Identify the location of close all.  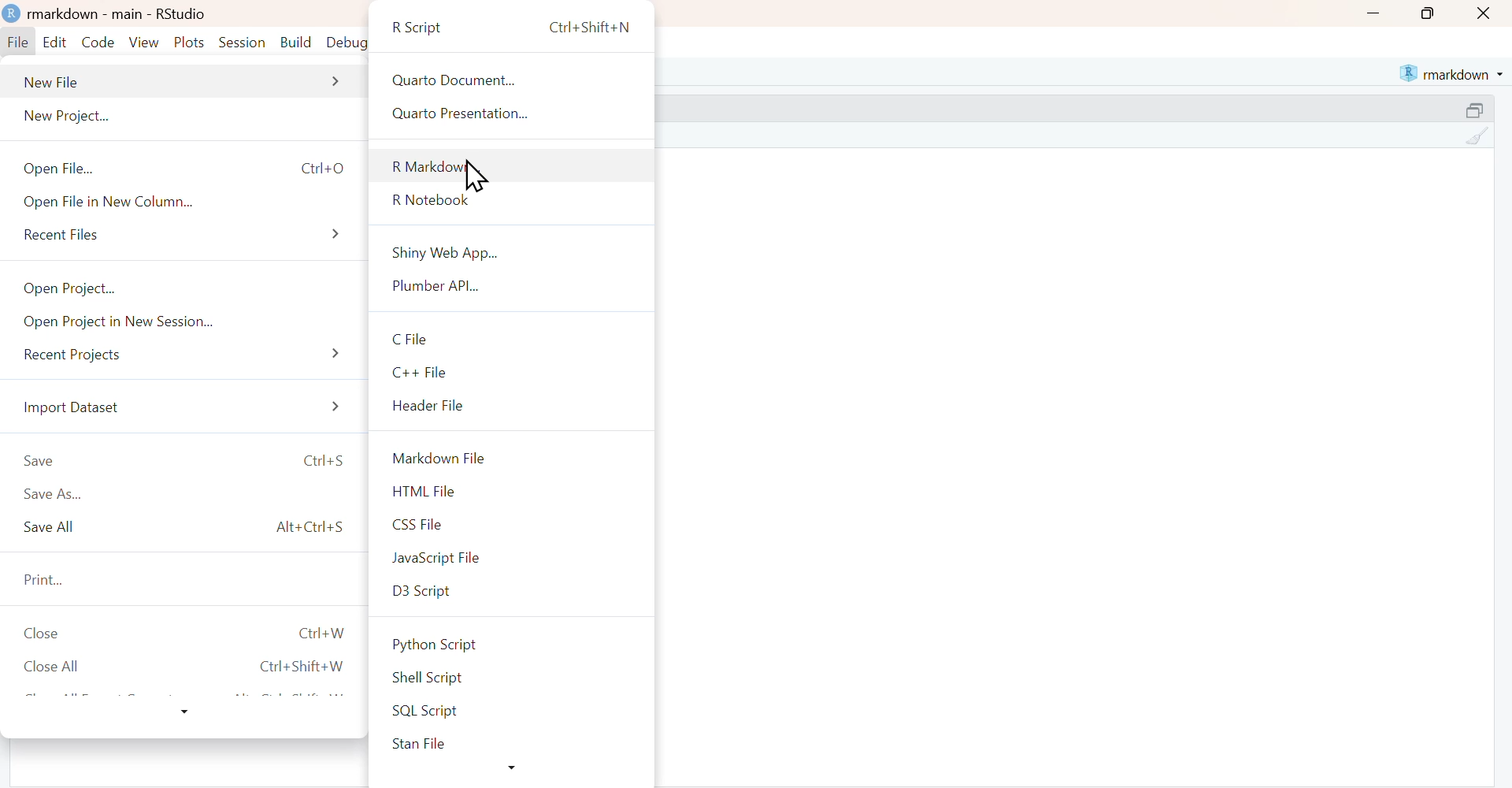
(191, 666).